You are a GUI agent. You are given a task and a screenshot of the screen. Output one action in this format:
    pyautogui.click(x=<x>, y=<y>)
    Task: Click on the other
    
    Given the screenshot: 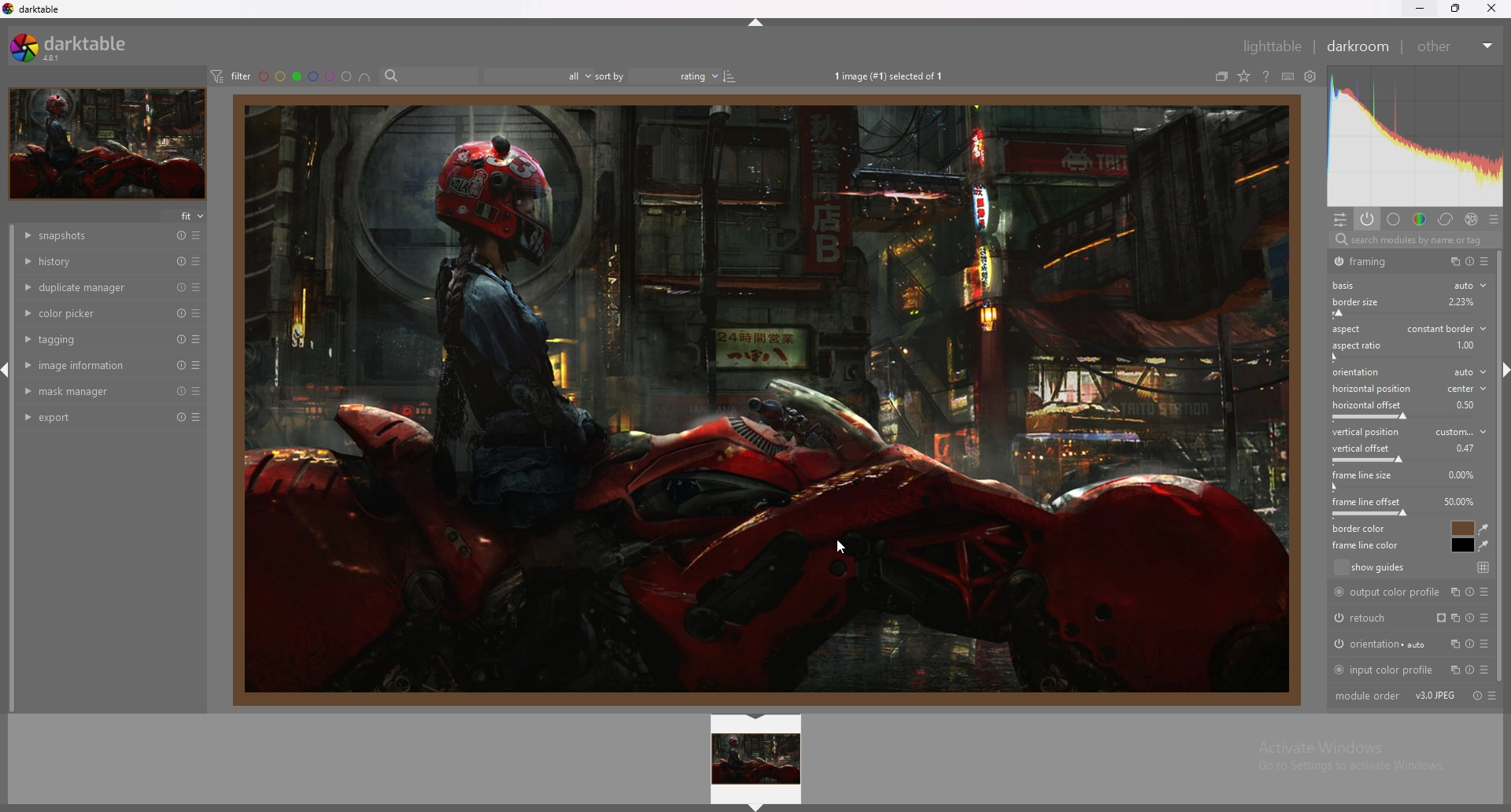 What is the action you would take?
    pyautogui.click(x=1456, y=46)
    